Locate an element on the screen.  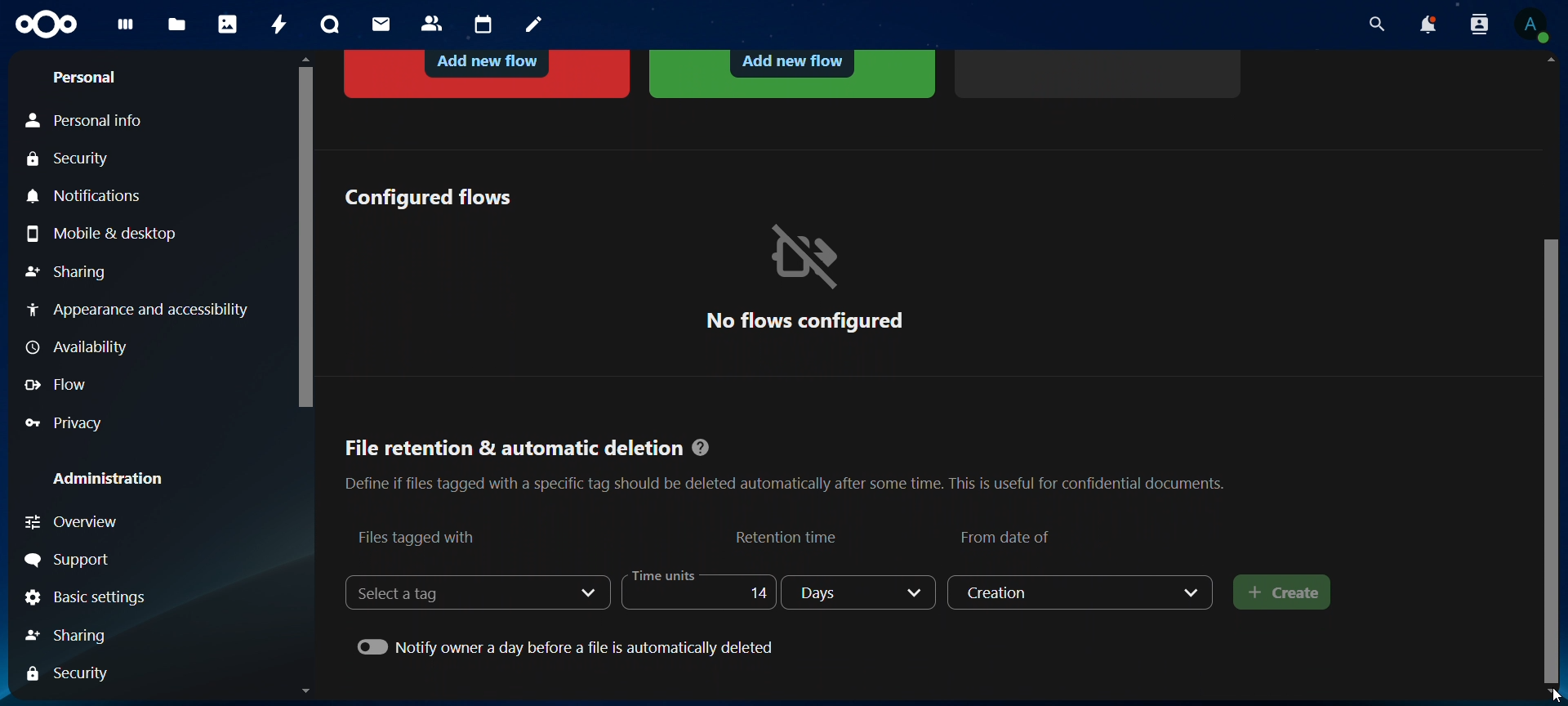
no flows configured is located at coordinates (804, 277).